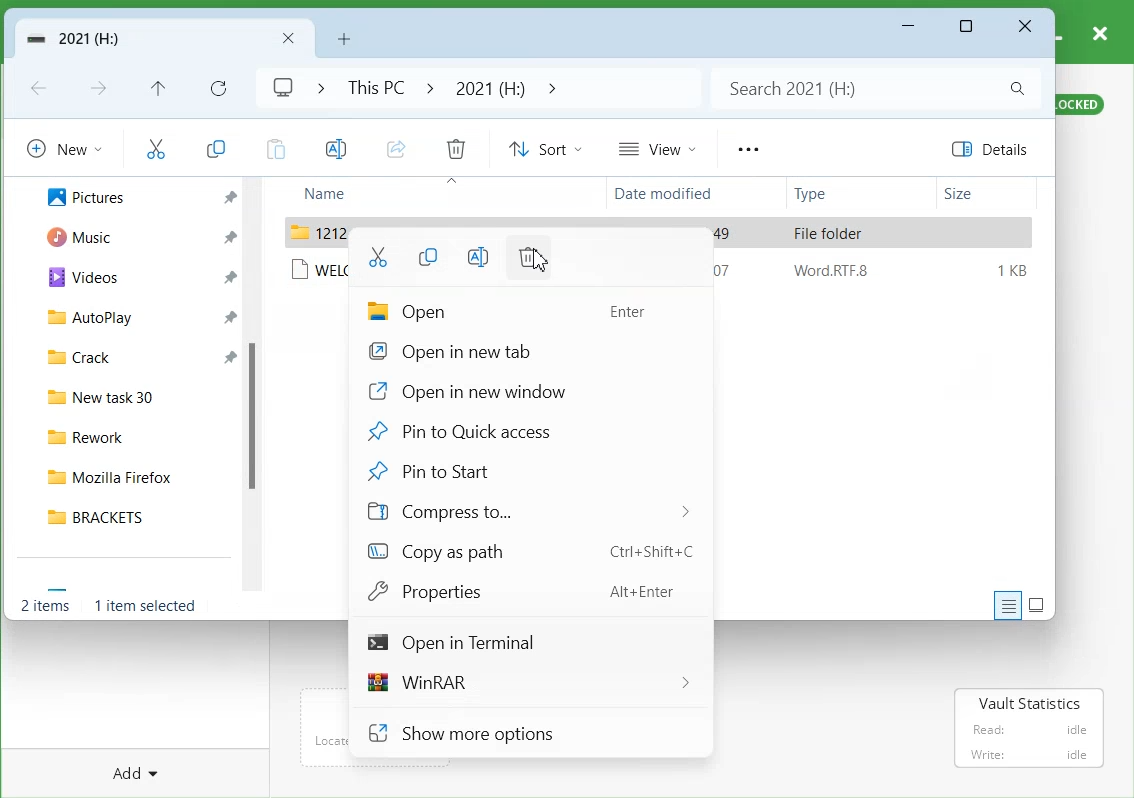  What do you see at coordinates (549, 87) in the screenshot?
I see `Drop down box` at bounding box center [549, 87].